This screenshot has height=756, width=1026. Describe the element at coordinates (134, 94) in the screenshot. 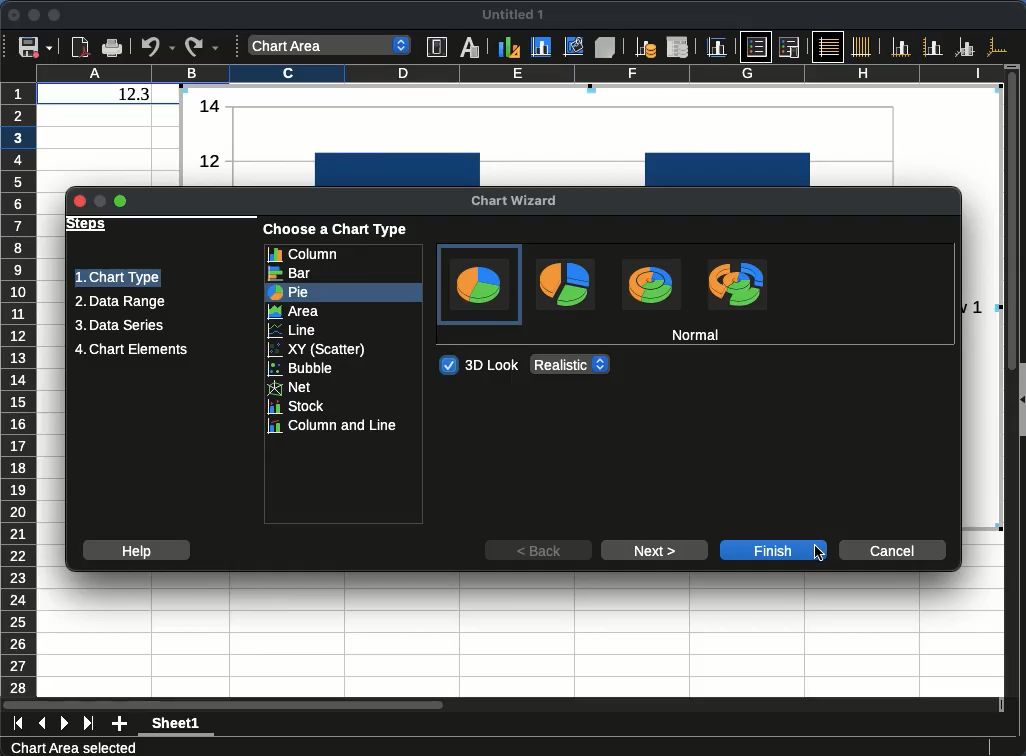

I see `12.3` at that location.